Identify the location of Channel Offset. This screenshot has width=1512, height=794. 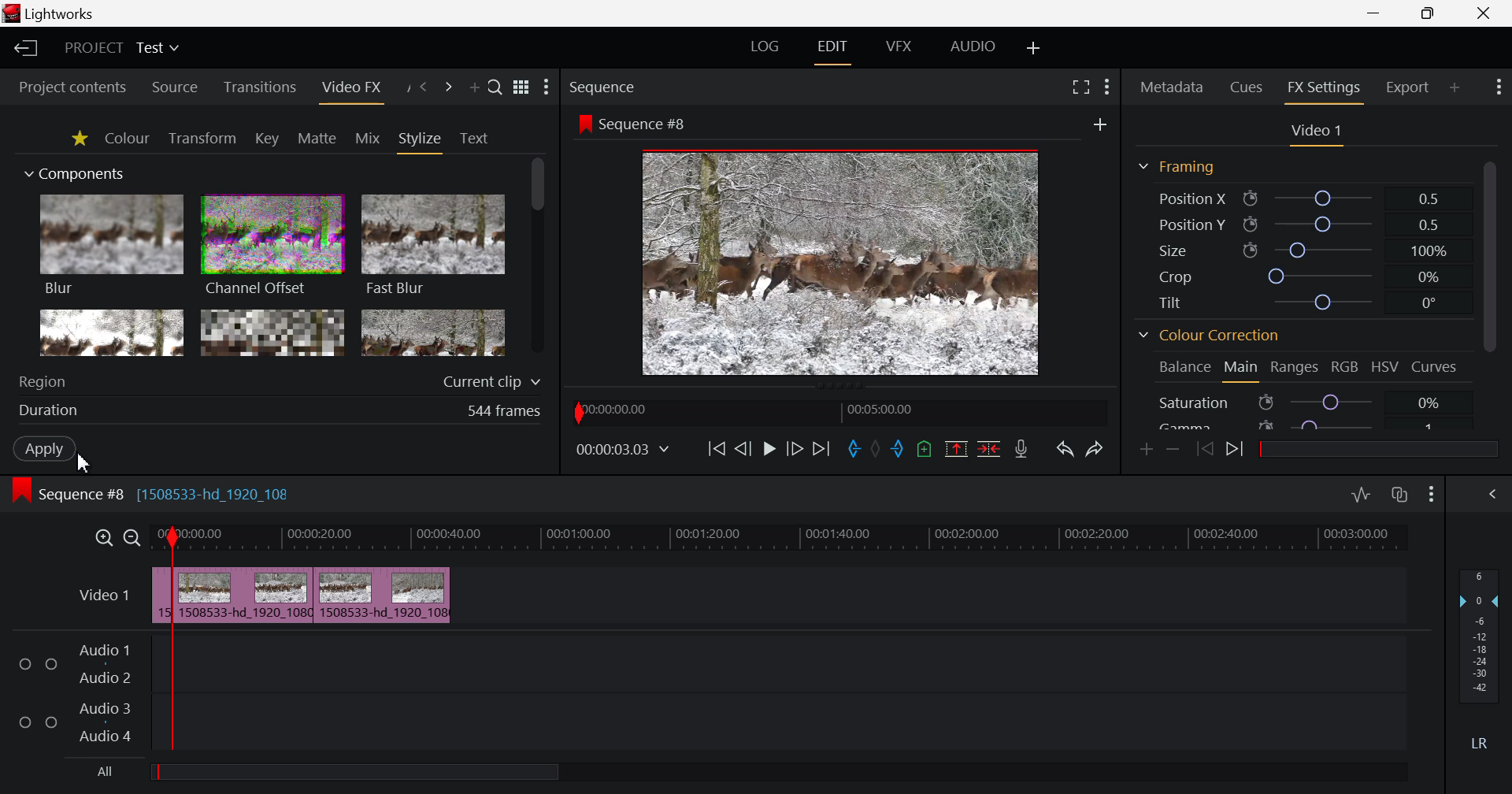
(272, 247).